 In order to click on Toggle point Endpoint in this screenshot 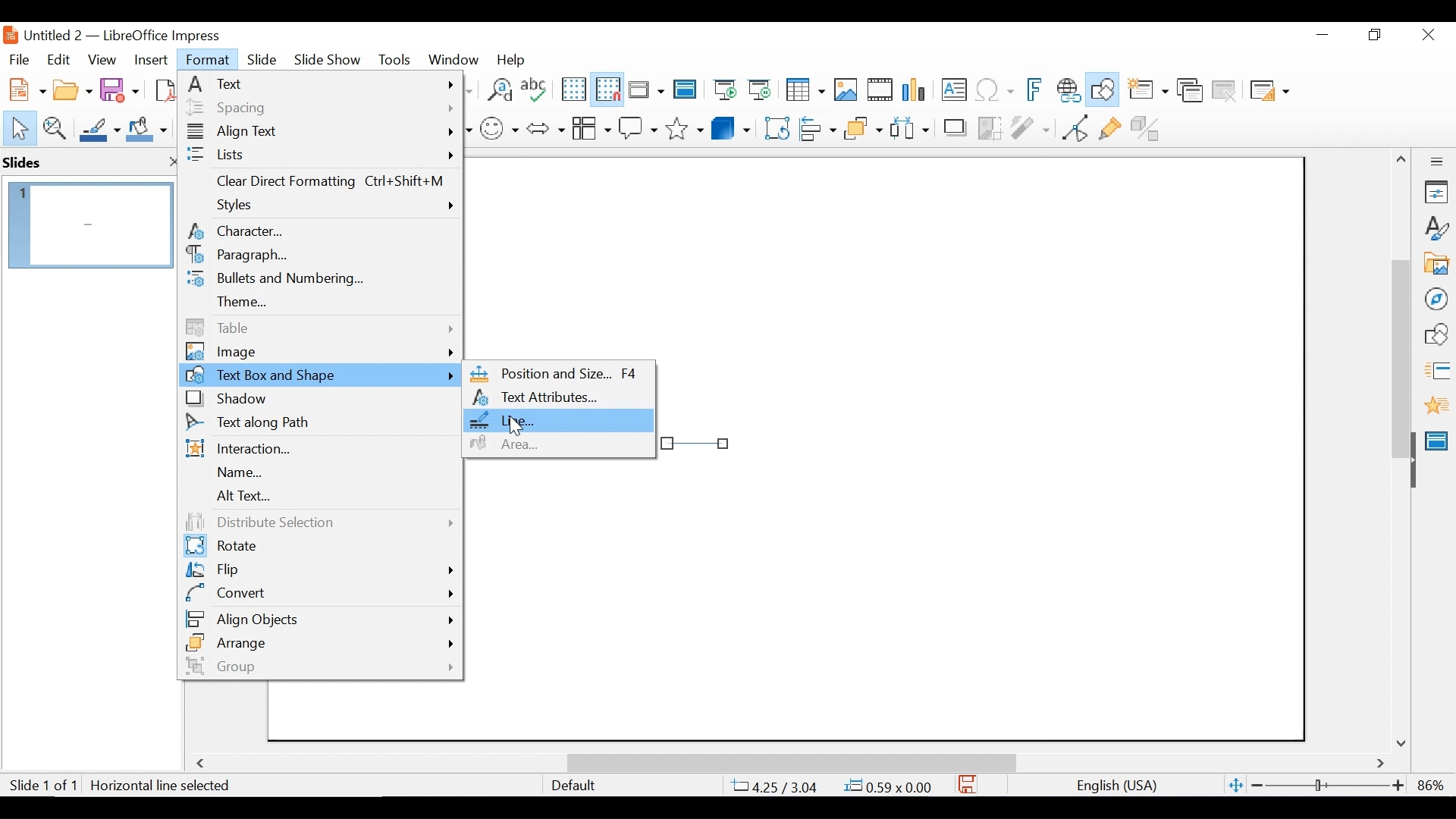, I will do `click(1072, 127)`.